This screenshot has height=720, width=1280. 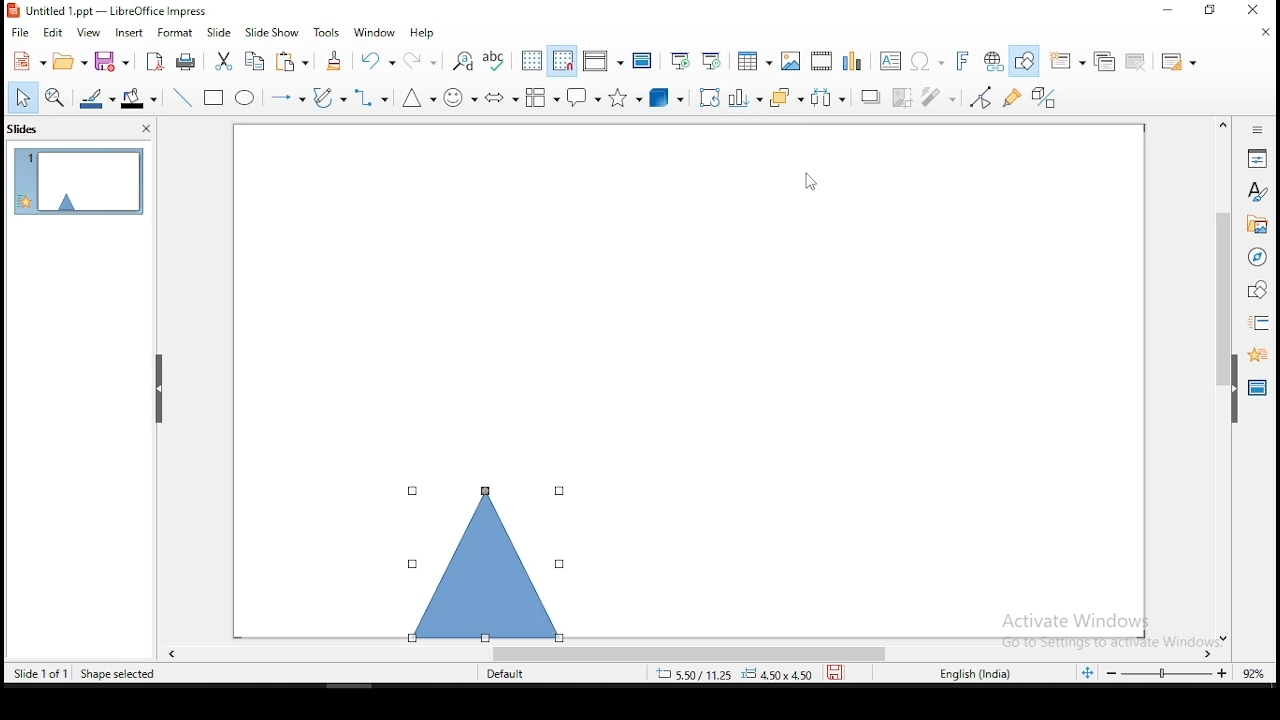 What do you see at coordinates (691, 655) in the screenshot?
I see `scroll bar` at bounding box center [691, 655].